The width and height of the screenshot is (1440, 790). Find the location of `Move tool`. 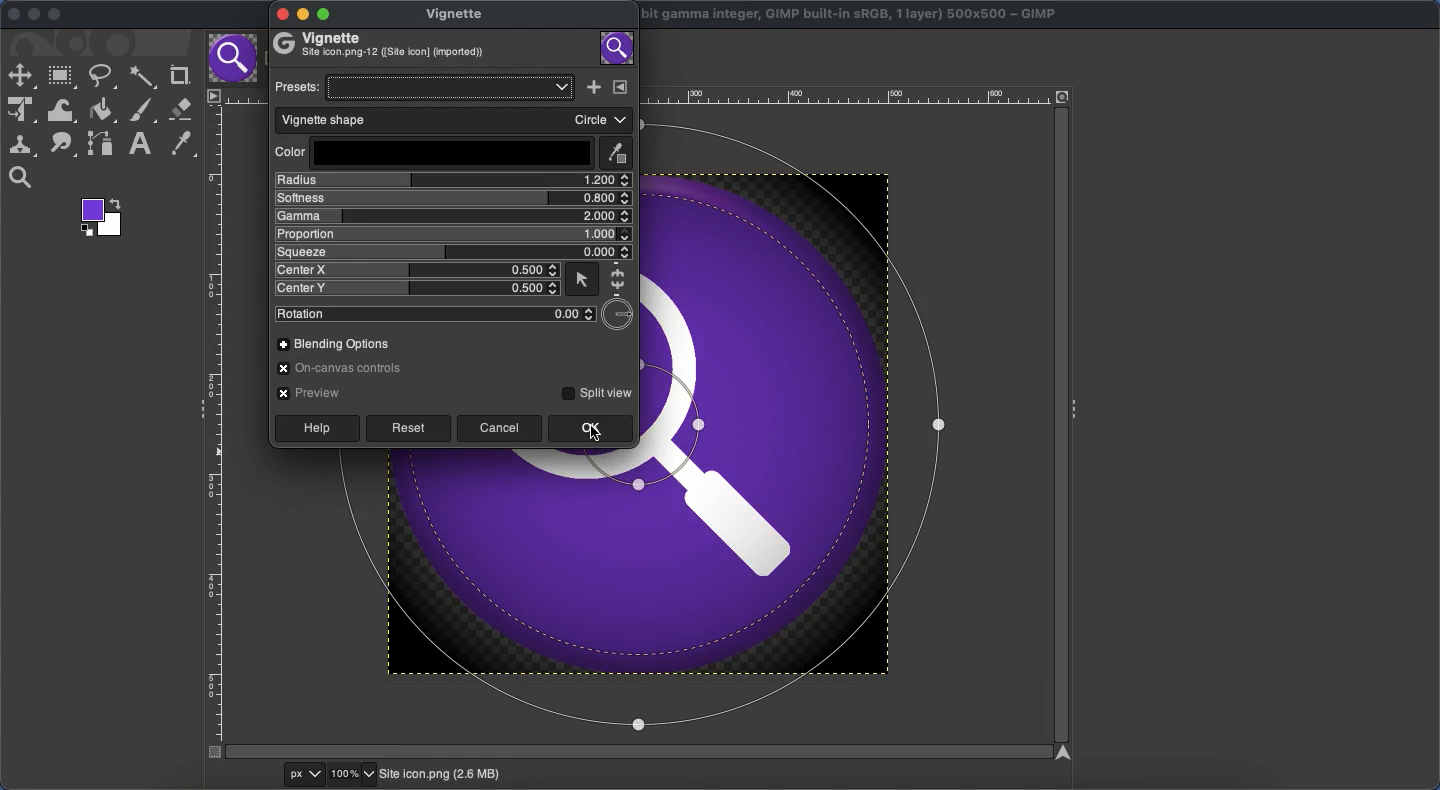

Move tool is located at coordinates (20, 76).